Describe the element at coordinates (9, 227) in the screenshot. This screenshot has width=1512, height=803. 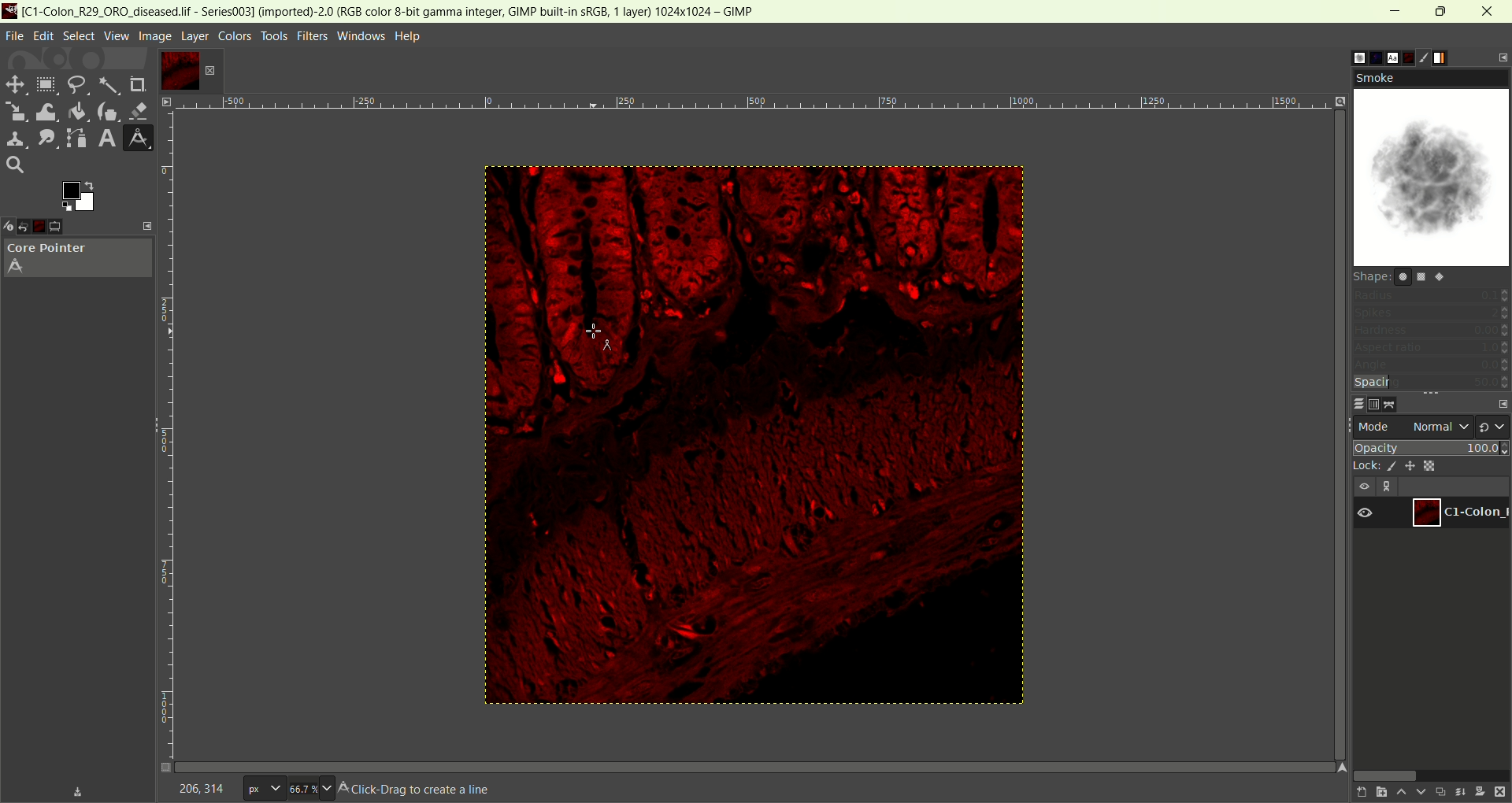
I see `device status` at that location.